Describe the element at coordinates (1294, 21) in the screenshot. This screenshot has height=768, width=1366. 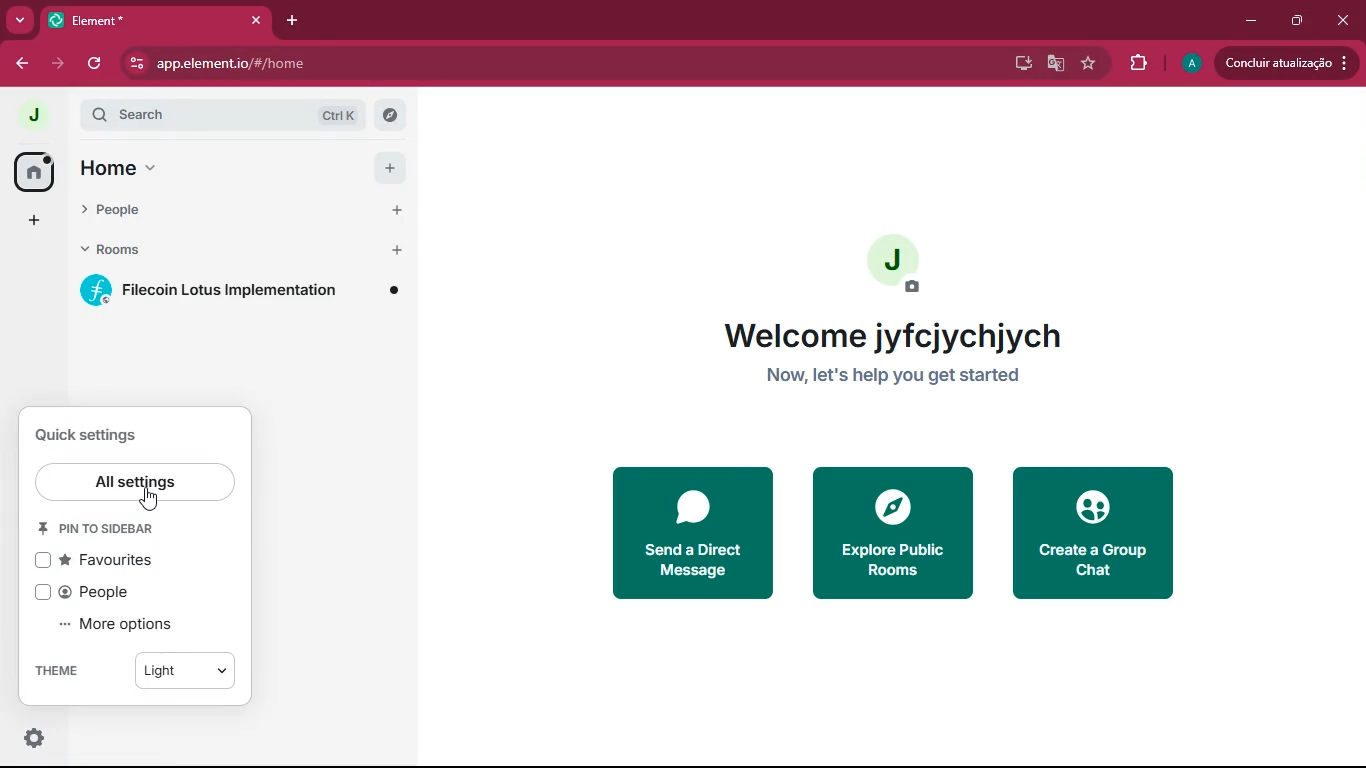
I see `restore down` at that location.